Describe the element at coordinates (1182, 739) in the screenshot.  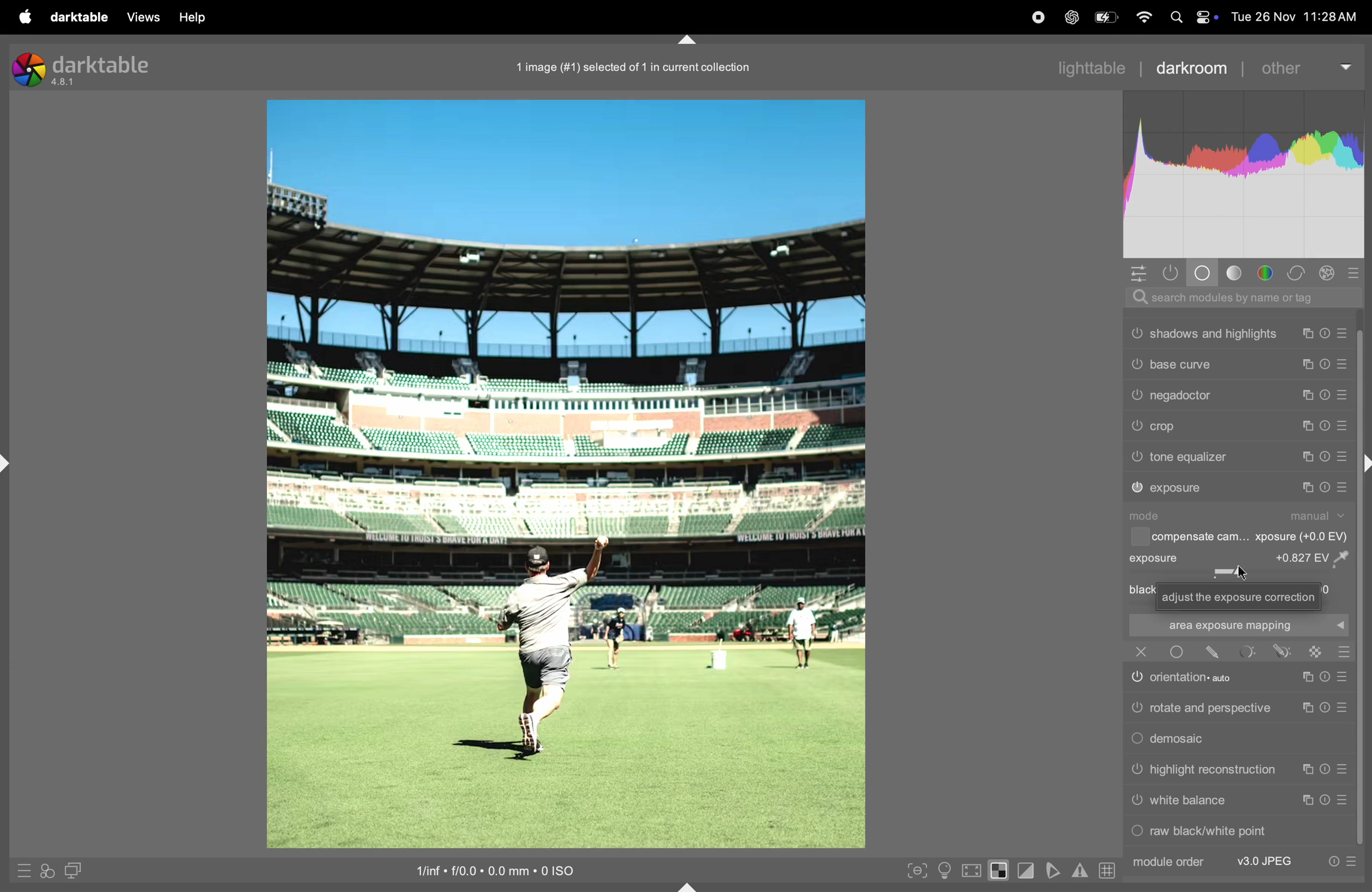
I see `demosaic` at that location.